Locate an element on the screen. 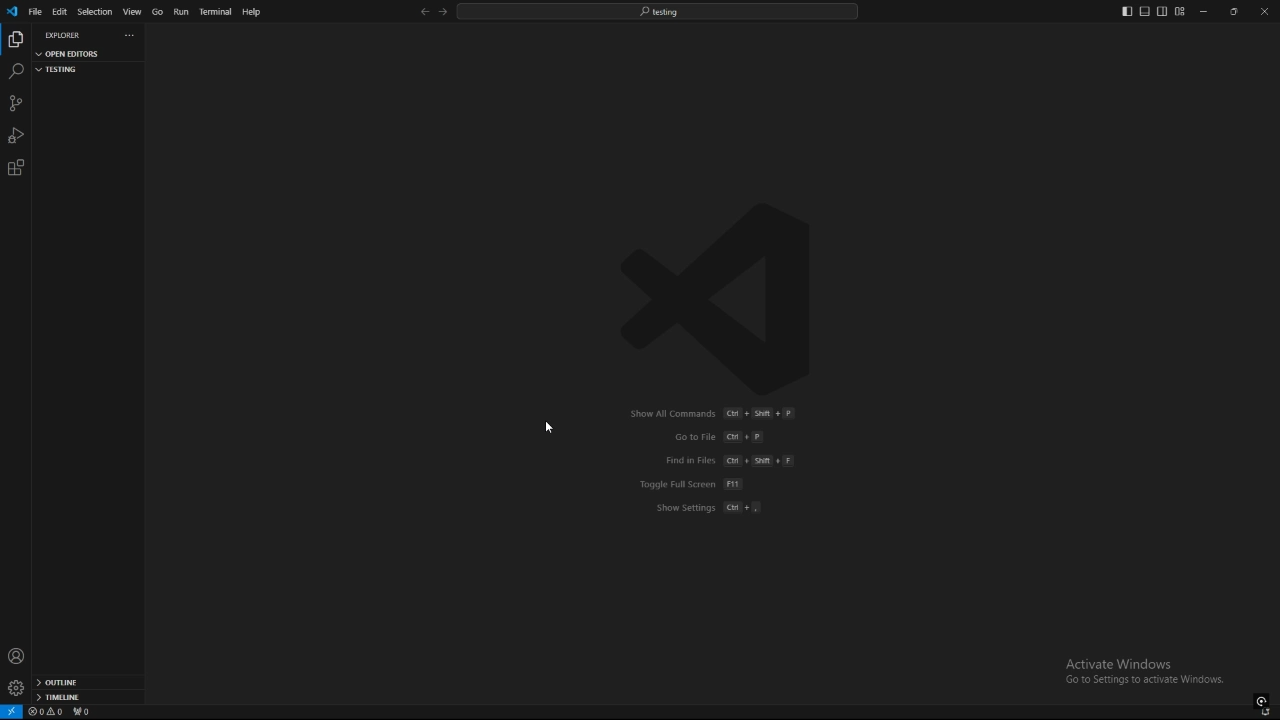 The image size is (1280, 720). terminal is located at coordinates (216, 13).